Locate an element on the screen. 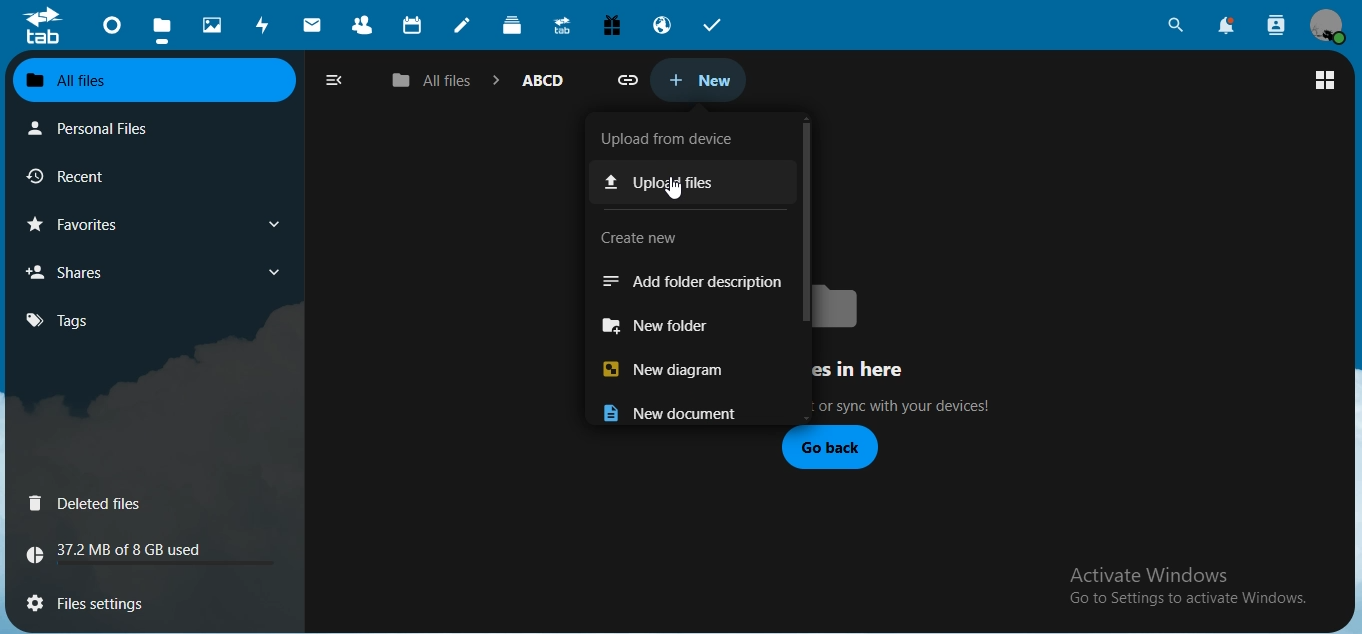 The width and height of the screenshot is (1362, 634). view is located at coordinates (1323, 83).